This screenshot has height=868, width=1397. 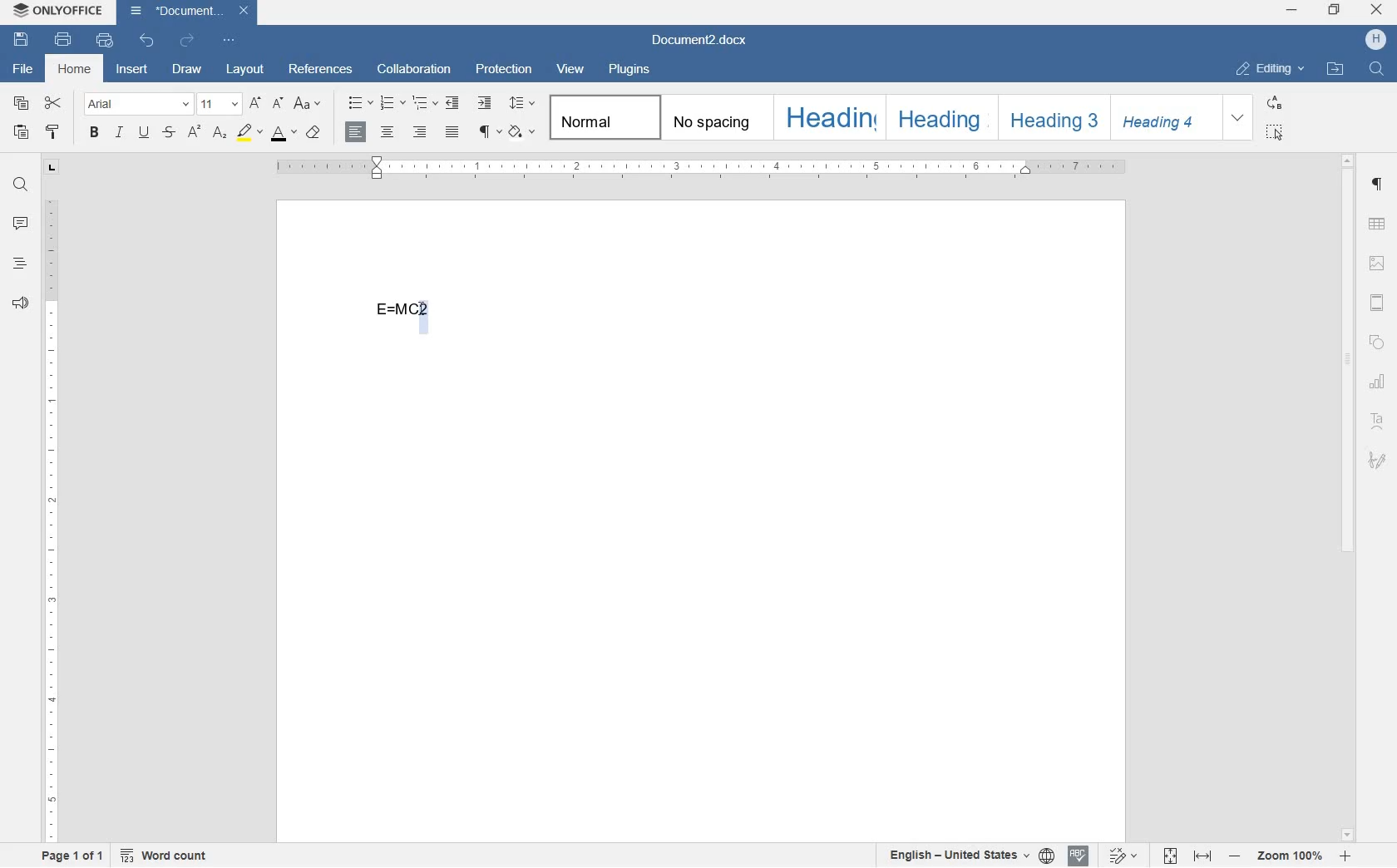 I want to click on increment font size, so click(x=254, y=104).